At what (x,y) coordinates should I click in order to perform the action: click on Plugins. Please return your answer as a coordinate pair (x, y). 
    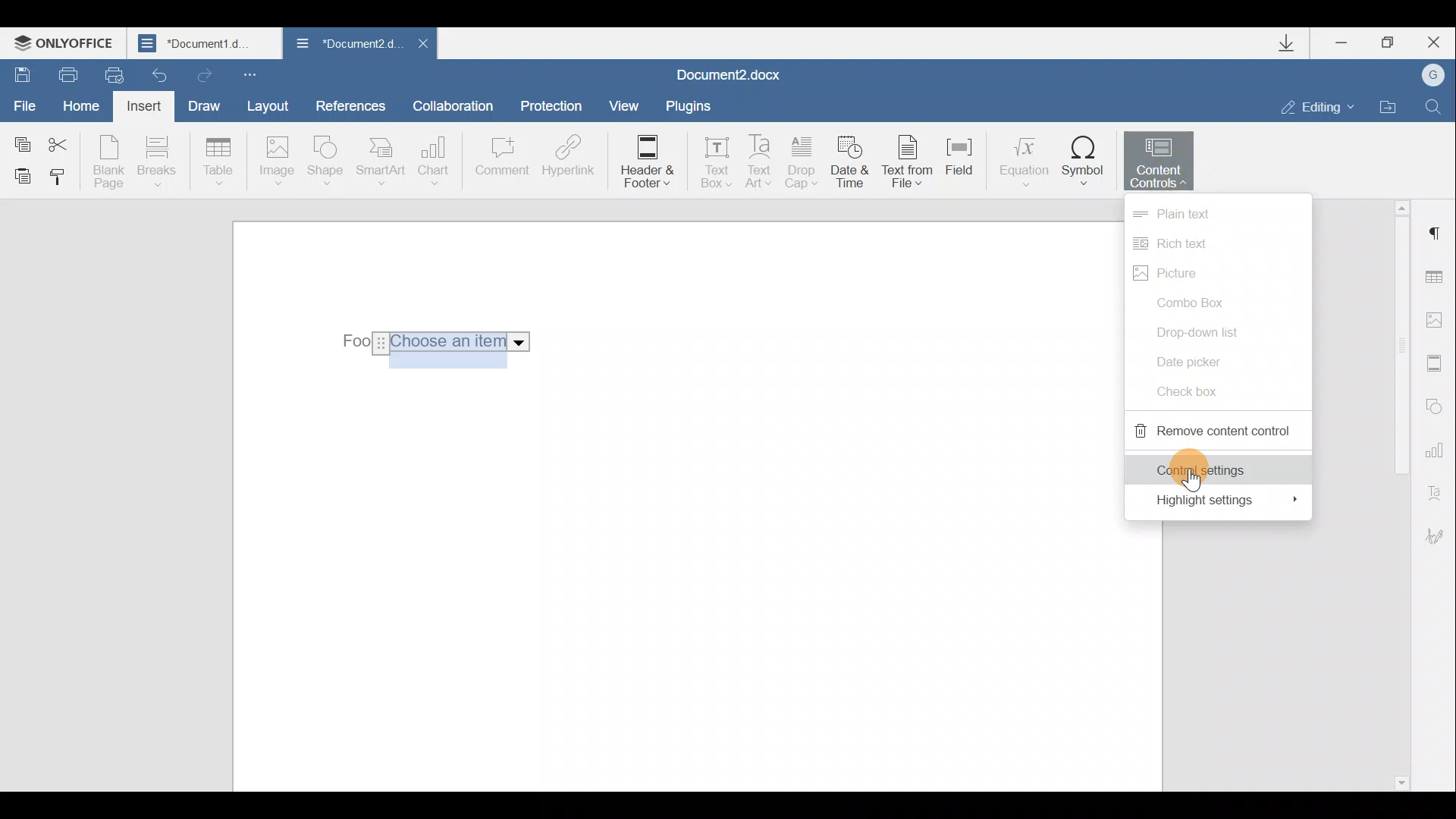
    Looking at the image, I should click on (693, 106).